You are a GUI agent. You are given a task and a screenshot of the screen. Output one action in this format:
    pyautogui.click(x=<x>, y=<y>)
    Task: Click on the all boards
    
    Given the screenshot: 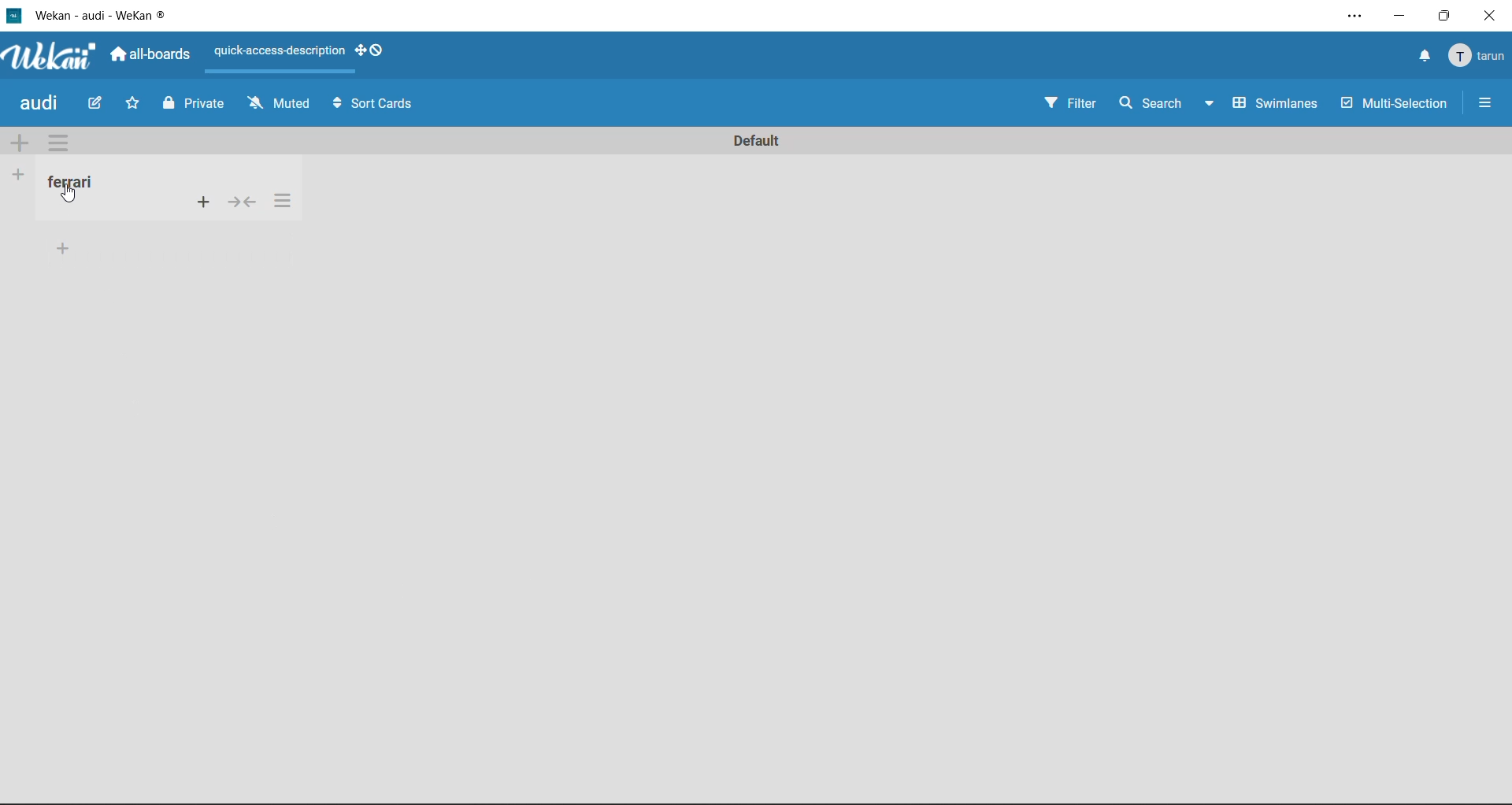 What is the action you would take?
    pyautogui.click(x=151, y=56)
    